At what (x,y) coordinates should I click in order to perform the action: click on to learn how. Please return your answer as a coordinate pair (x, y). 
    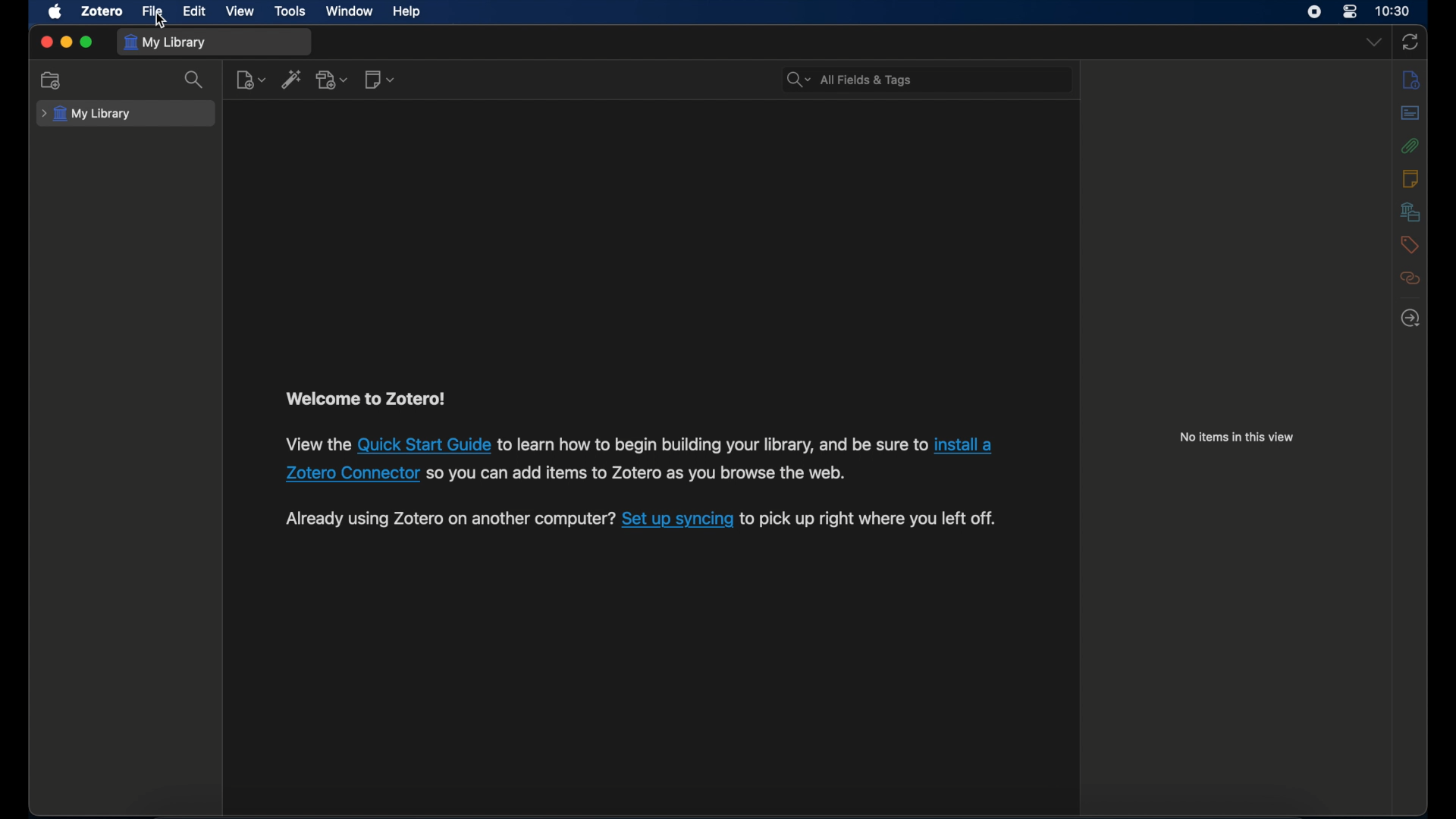
    Looking at the image, I should click on (711, 444).